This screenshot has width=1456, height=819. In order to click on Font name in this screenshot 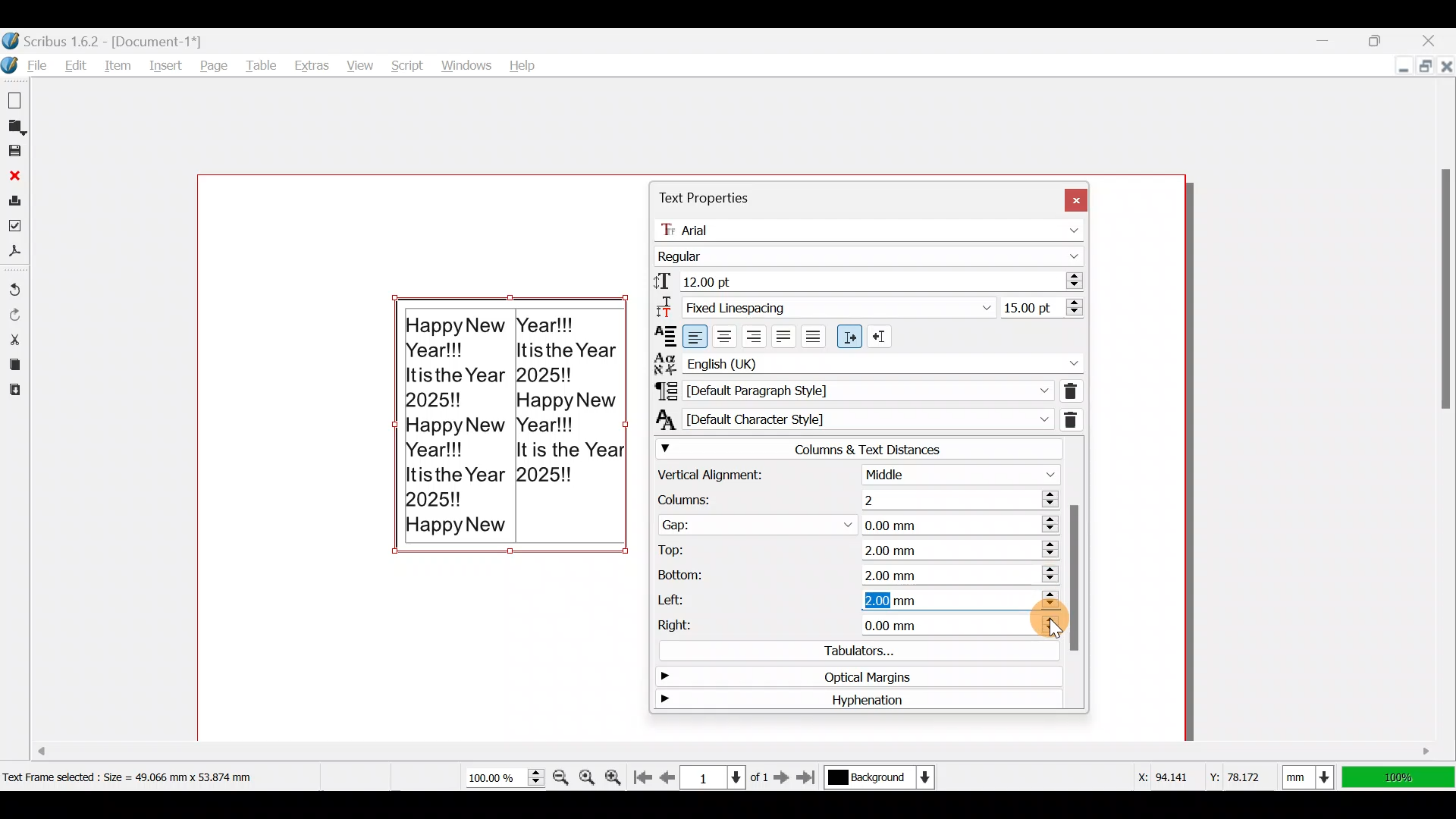, I will do `click(873, 227)`.